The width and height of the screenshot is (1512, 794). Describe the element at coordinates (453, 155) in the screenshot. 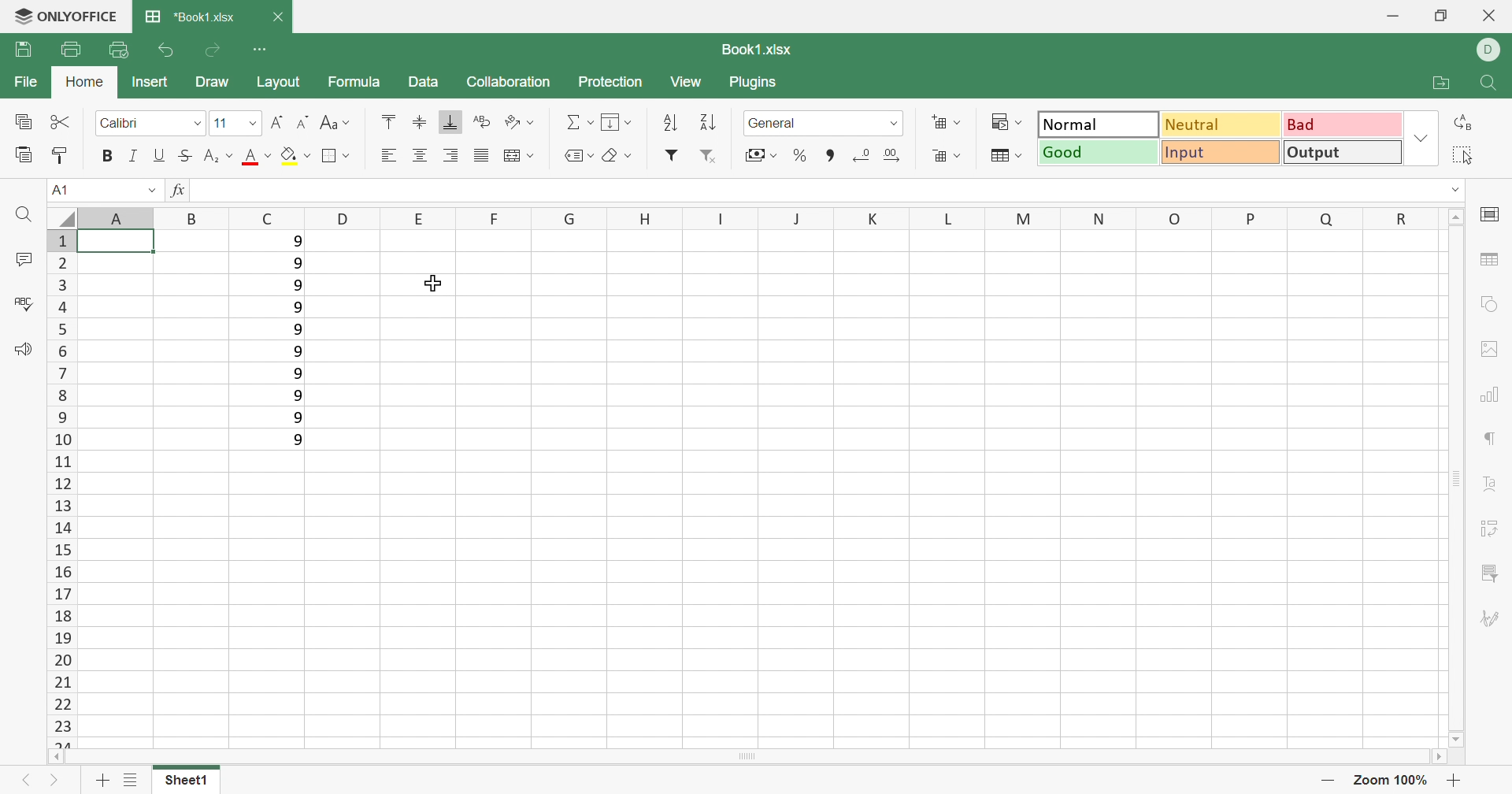

I see `Align Right` at that location.